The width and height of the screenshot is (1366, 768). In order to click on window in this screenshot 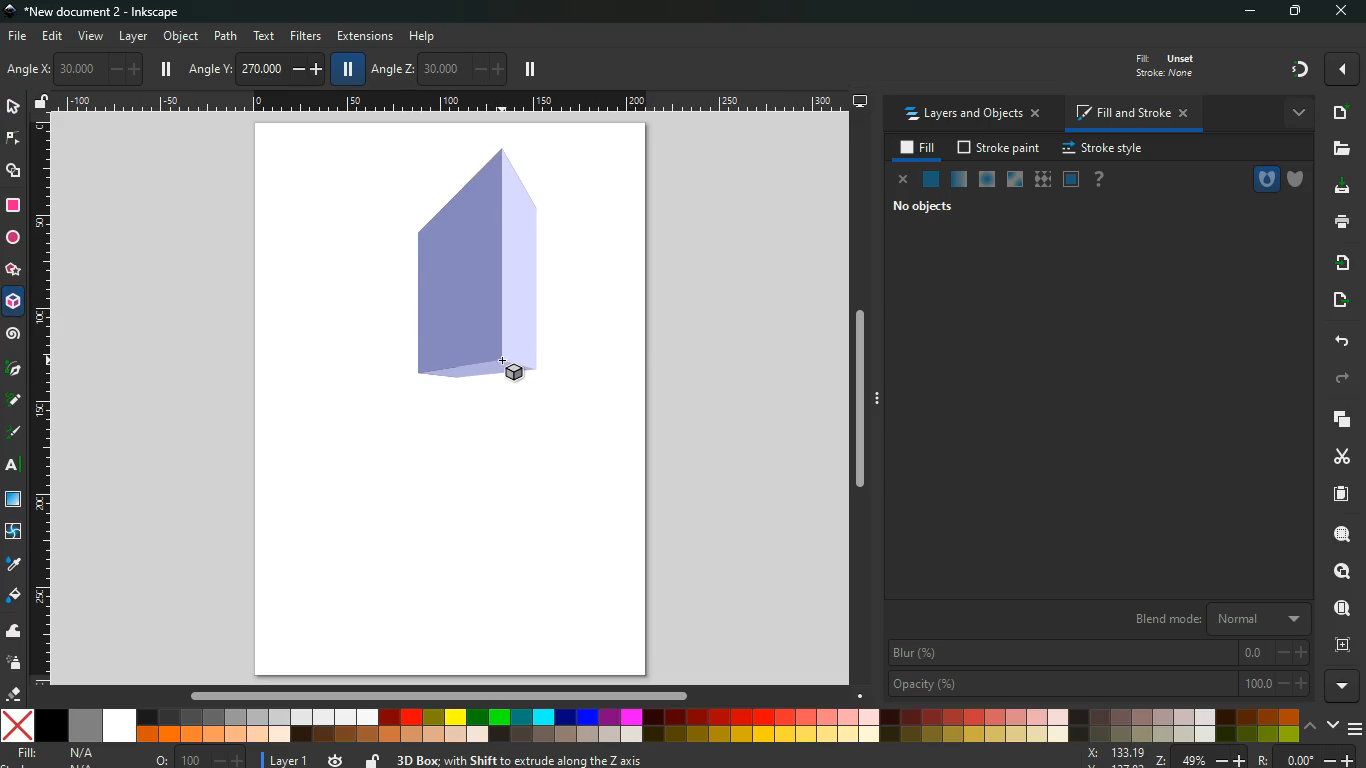, I will do `click(1013, 180)`.